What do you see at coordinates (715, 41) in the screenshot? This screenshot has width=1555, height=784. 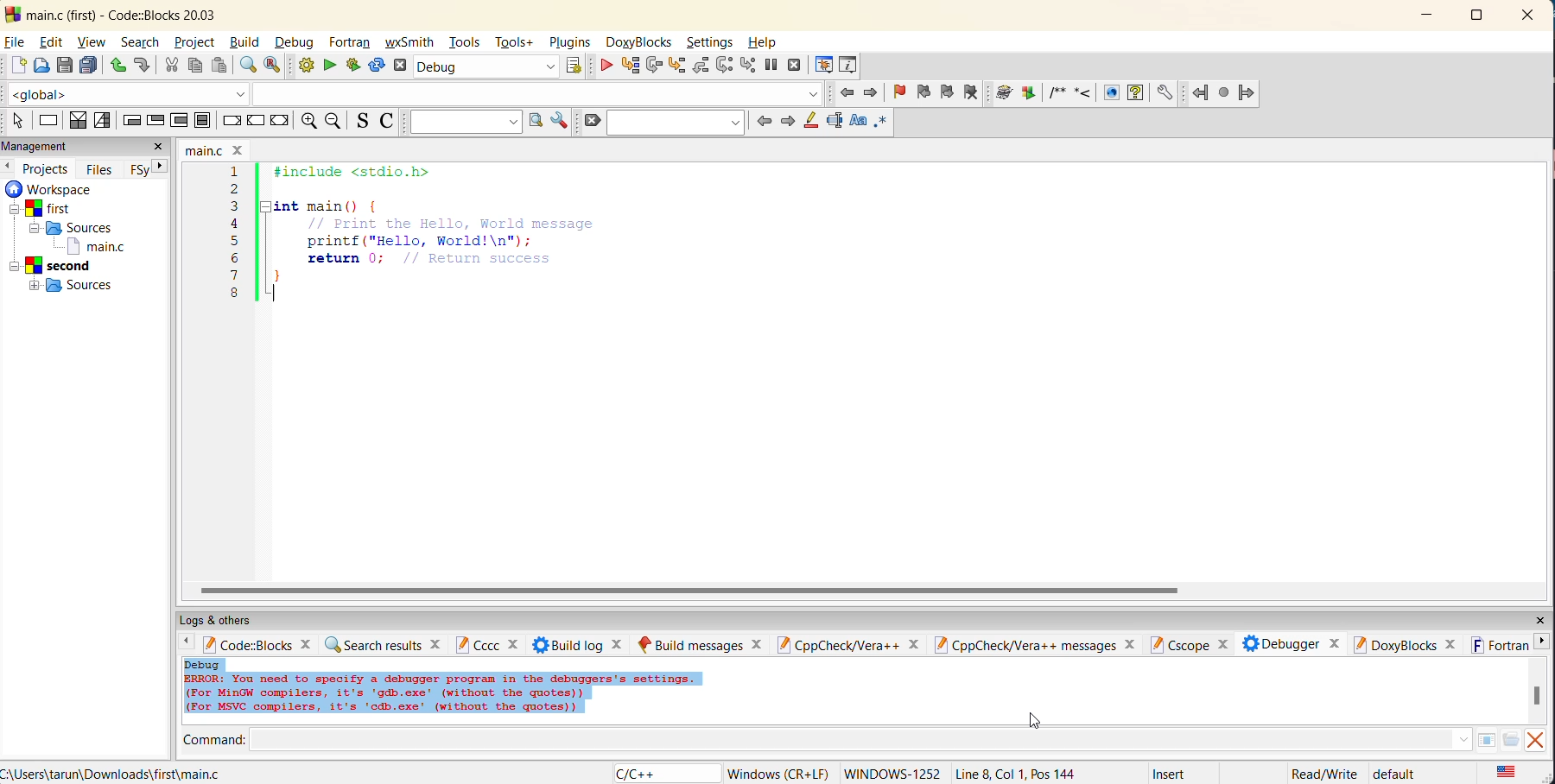 I see `settings` at bounding box center [715, 41].